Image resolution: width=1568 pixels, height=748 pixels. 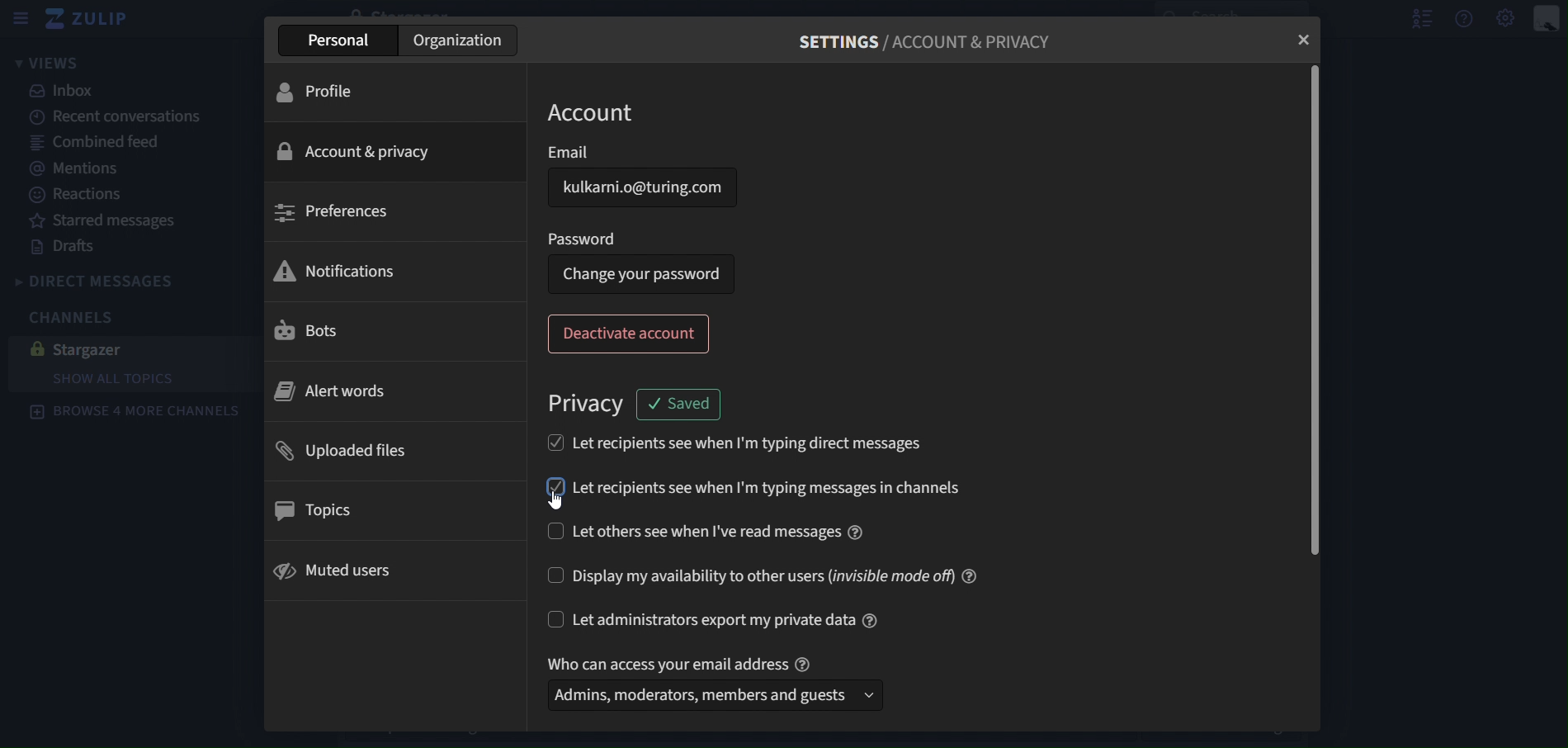 What do you see at coordinates (61, 249) in the screenshot?
I see `drafts` at bounding box center [61, 249].